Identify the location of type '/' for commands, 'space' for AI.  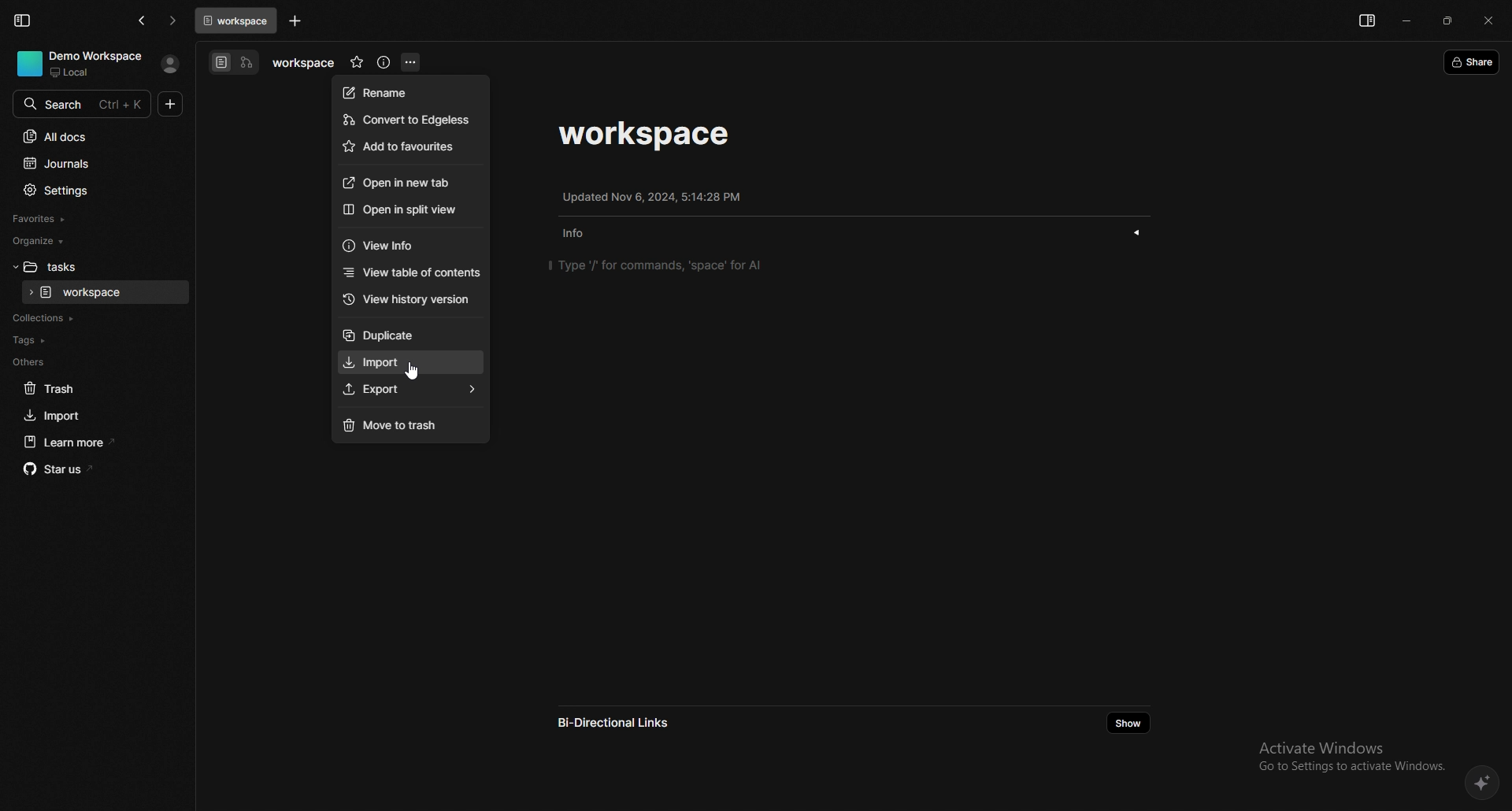
(657, 265).